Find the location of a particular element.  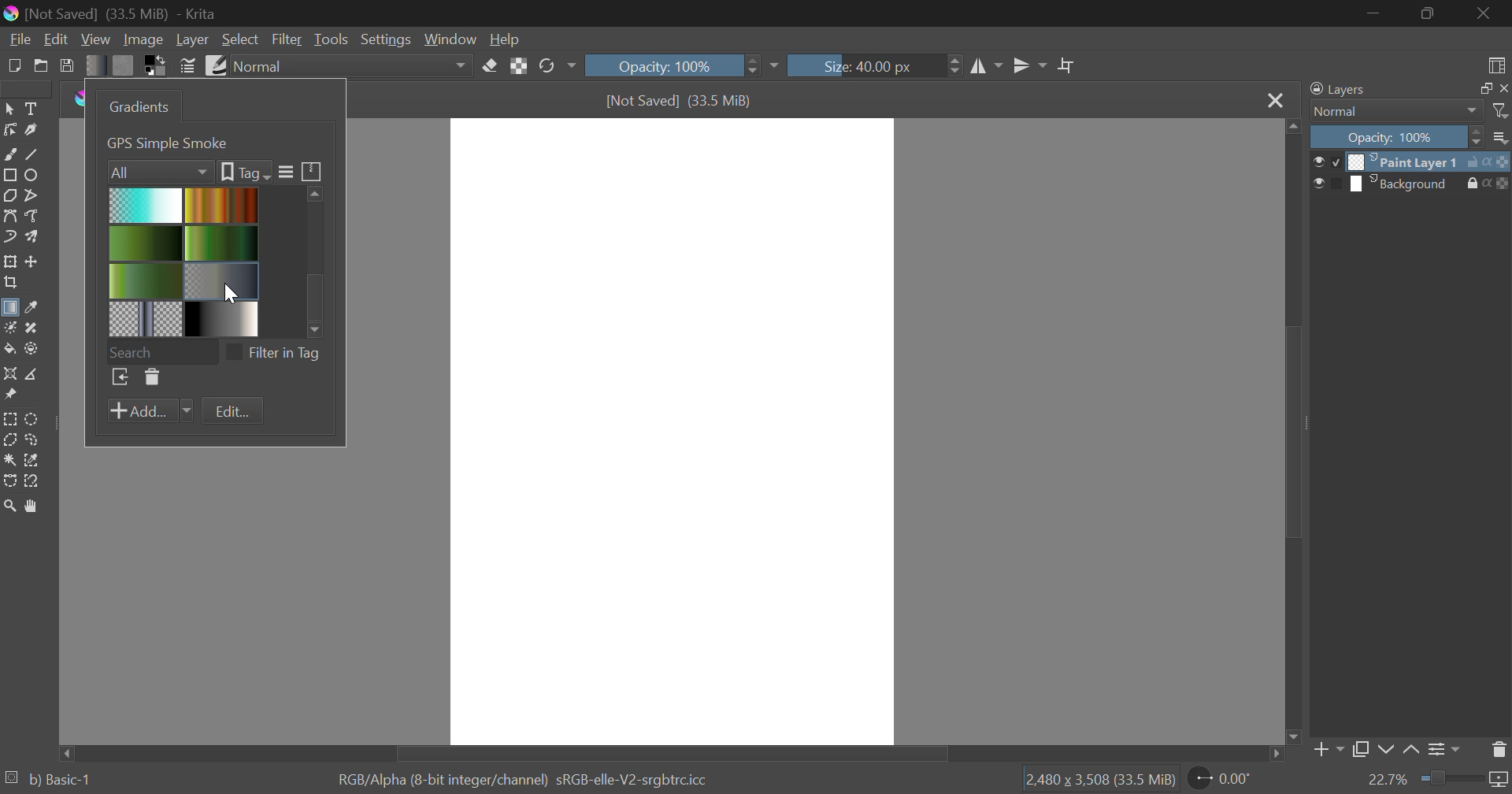

Close is located at coordinates (1488, 13).